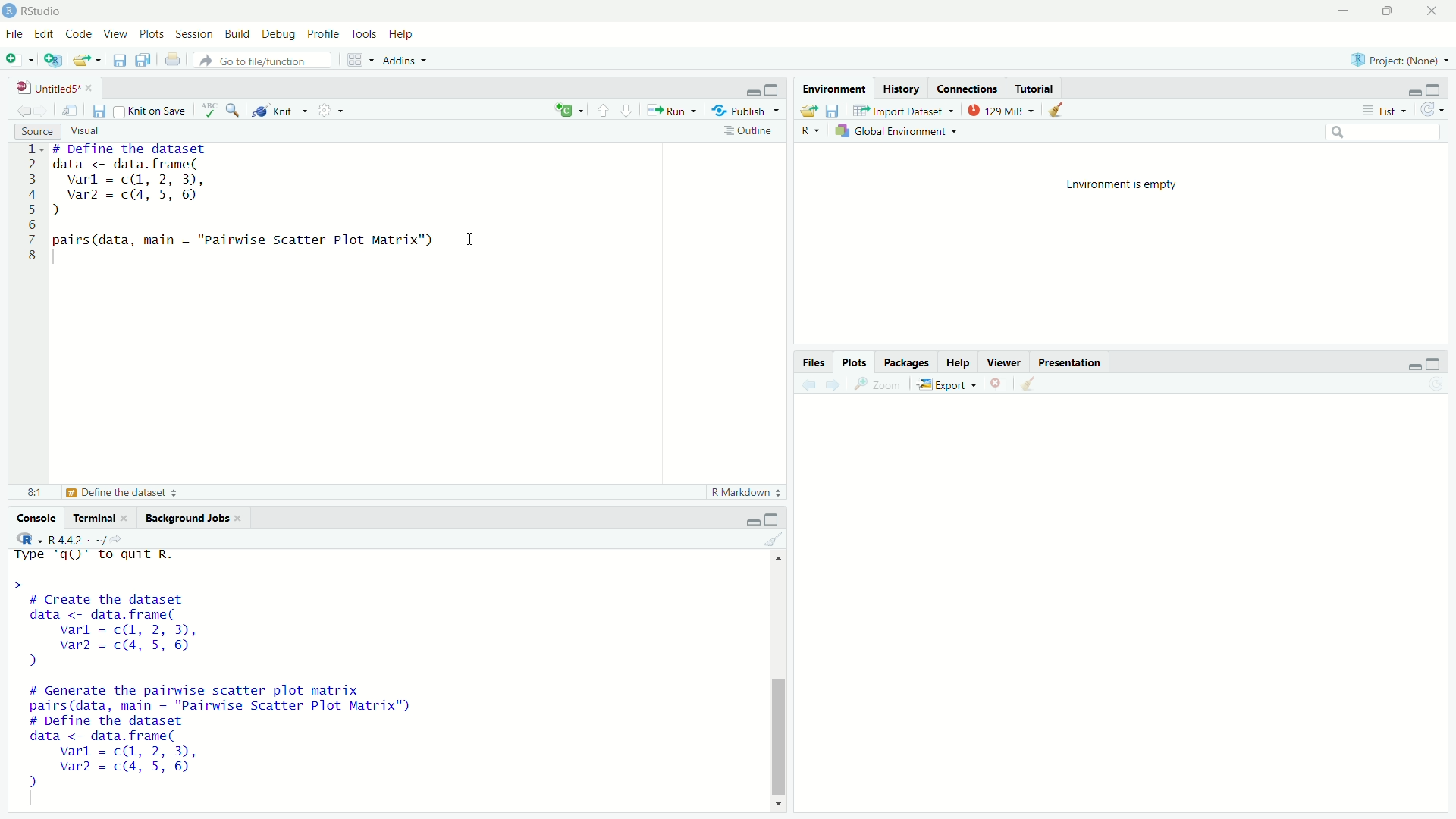 This screenshot has width=1456, height=819. What do you see at coordinates (280, 35) in the screenshot?
I see `Debug` at bounding box center [280, 35].